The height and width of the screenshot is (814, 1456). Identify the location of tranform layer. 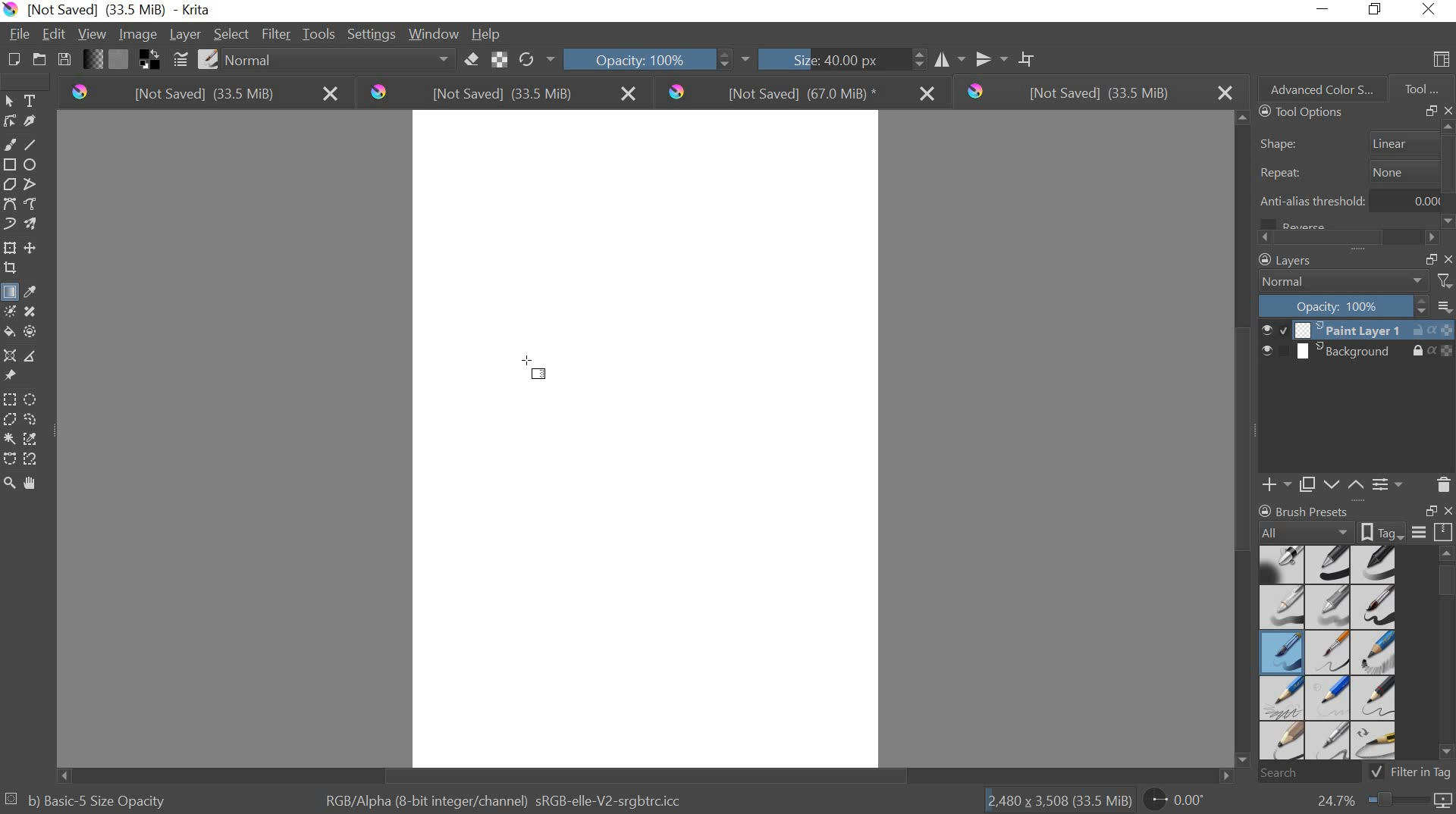
(11, 249).